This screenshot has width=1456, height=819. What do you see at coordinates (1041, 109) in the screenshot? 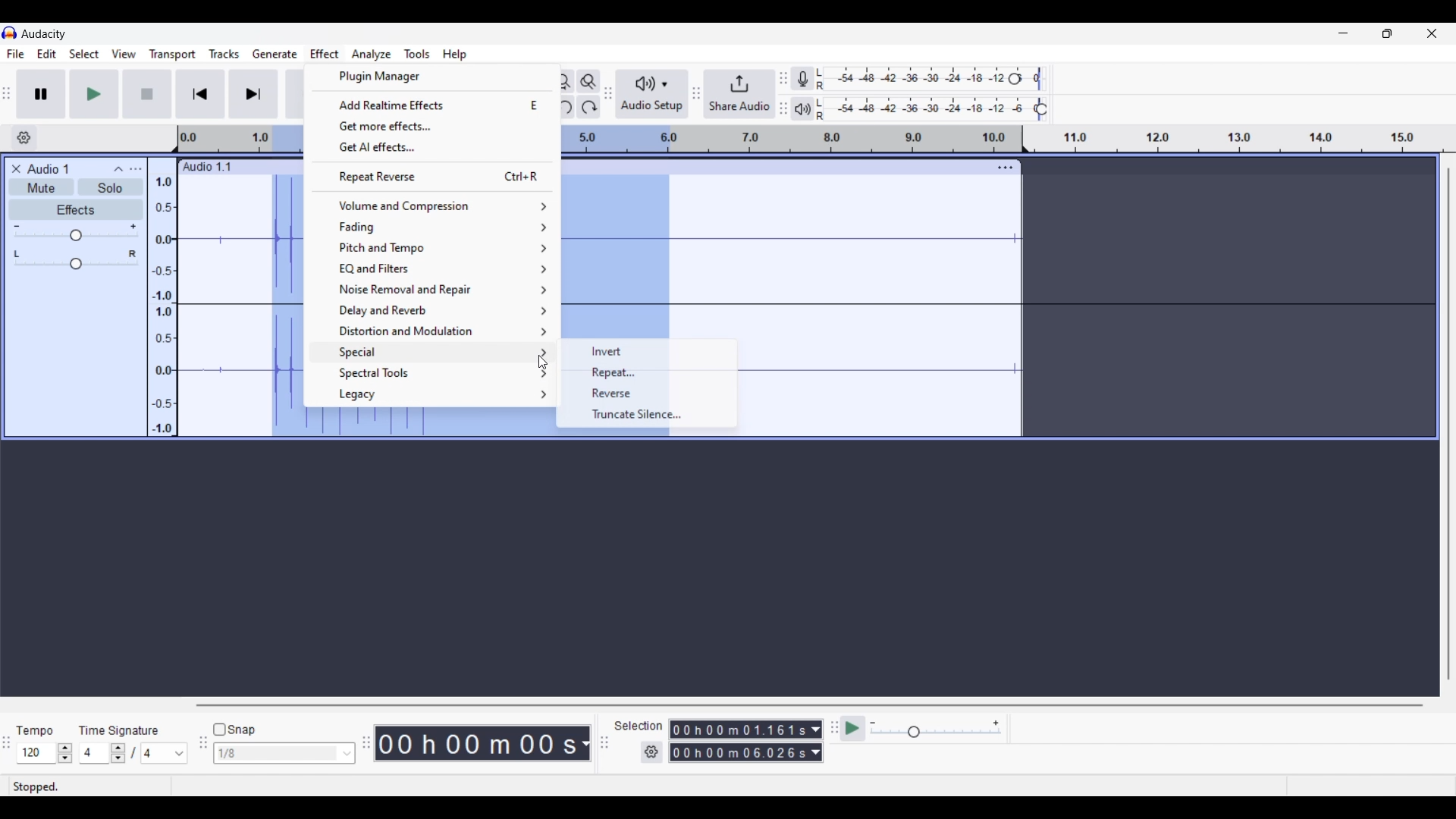
I see `Playback level header` at bounding box center [1041, 109].